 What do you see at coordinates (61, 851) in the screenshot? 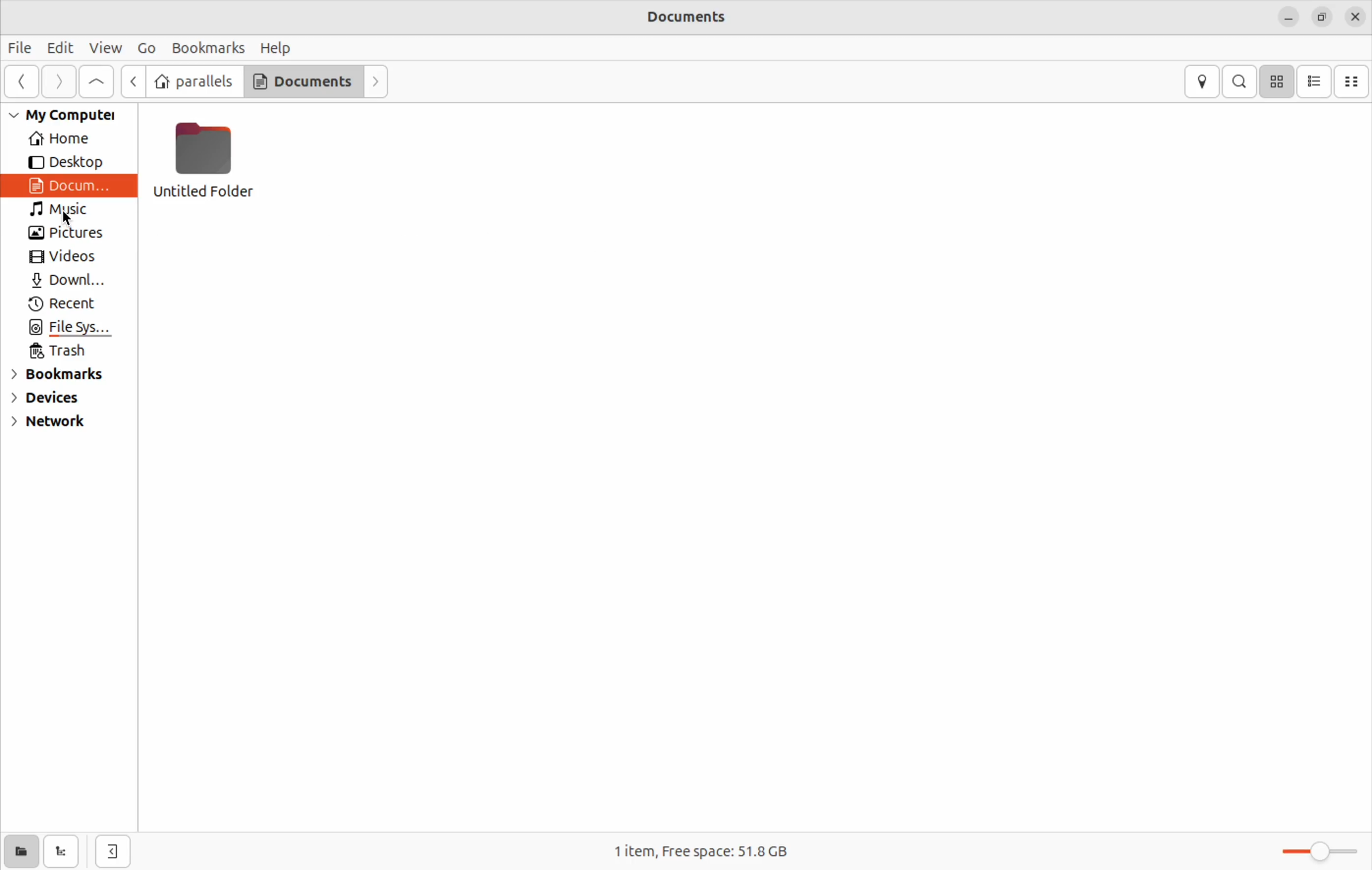
I see `show tree view` at bounding box center [61, 851].